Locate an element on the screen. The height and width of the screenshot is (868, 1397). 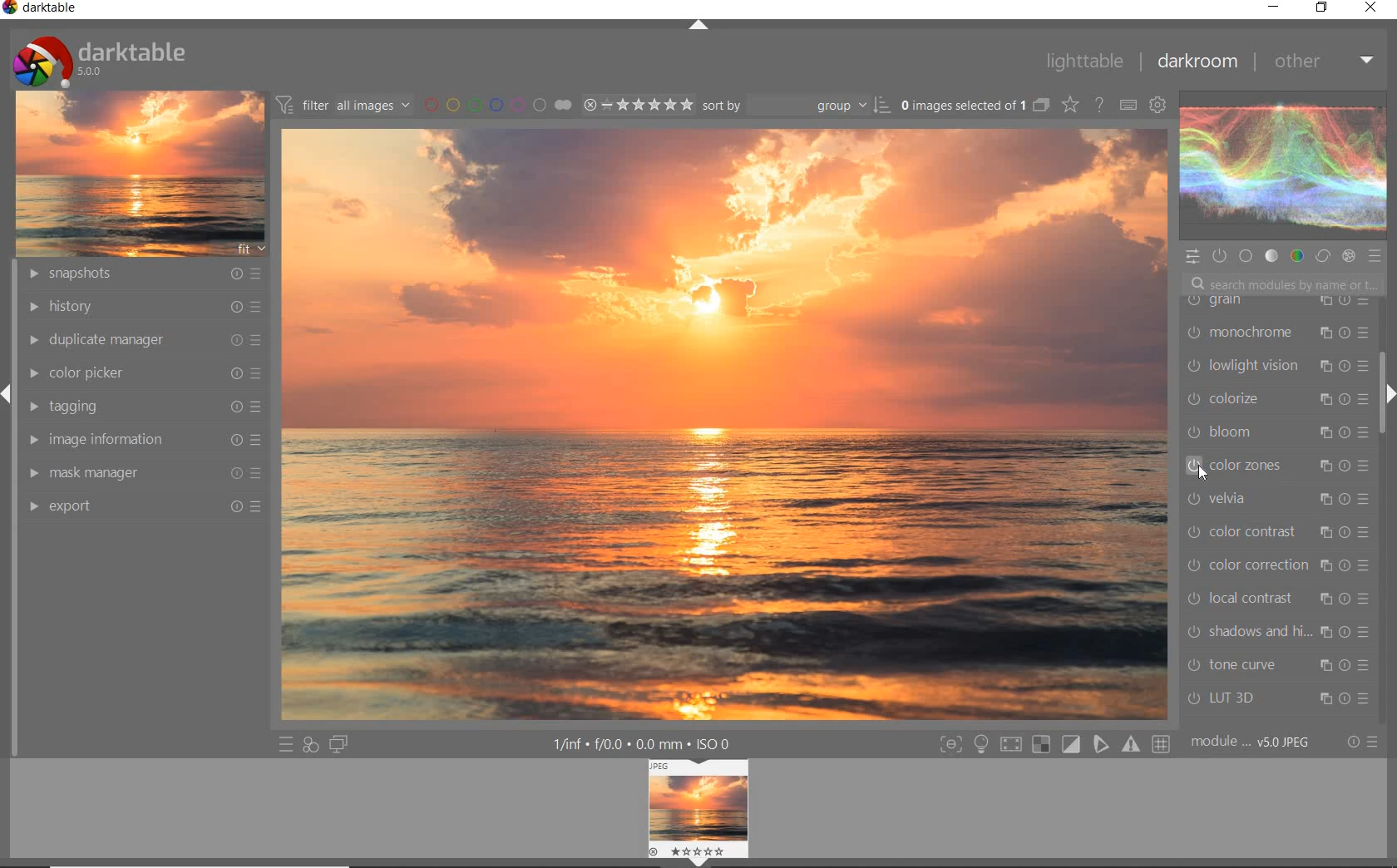
color correction is located at coordinates (1276, 563).